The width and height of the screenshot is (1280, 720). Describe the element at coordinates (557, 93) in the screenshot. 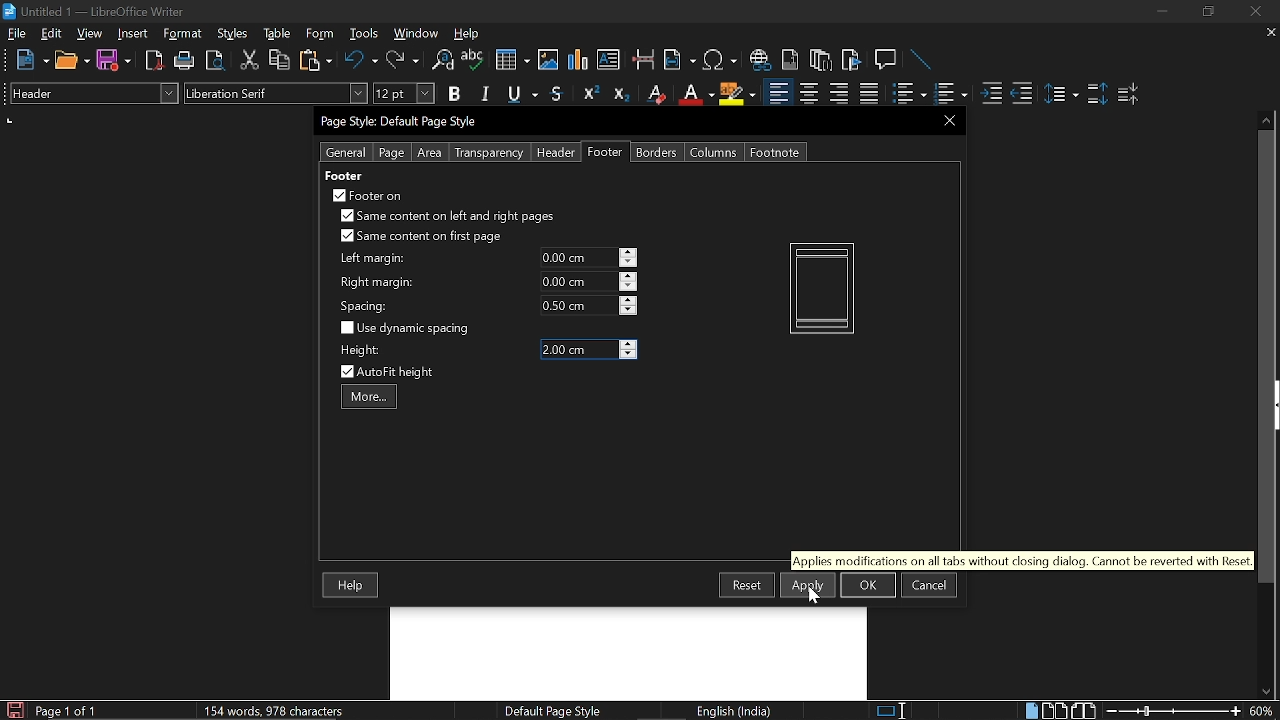

I see `Strike through` at that location.